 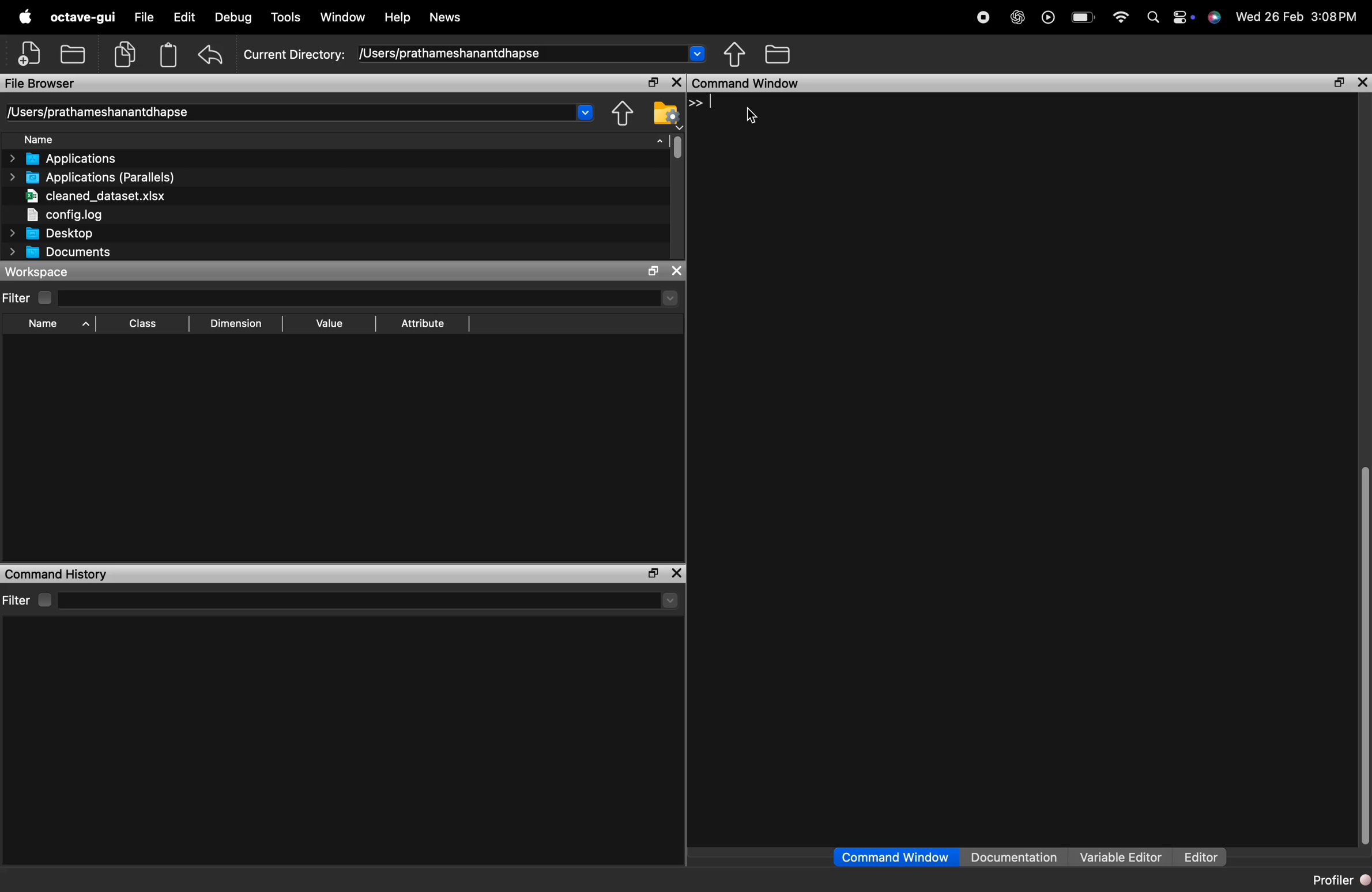 What do you see at coordinates (675, 573) in the screenshot?
I see `maximize` at bounding box center [675, 573].